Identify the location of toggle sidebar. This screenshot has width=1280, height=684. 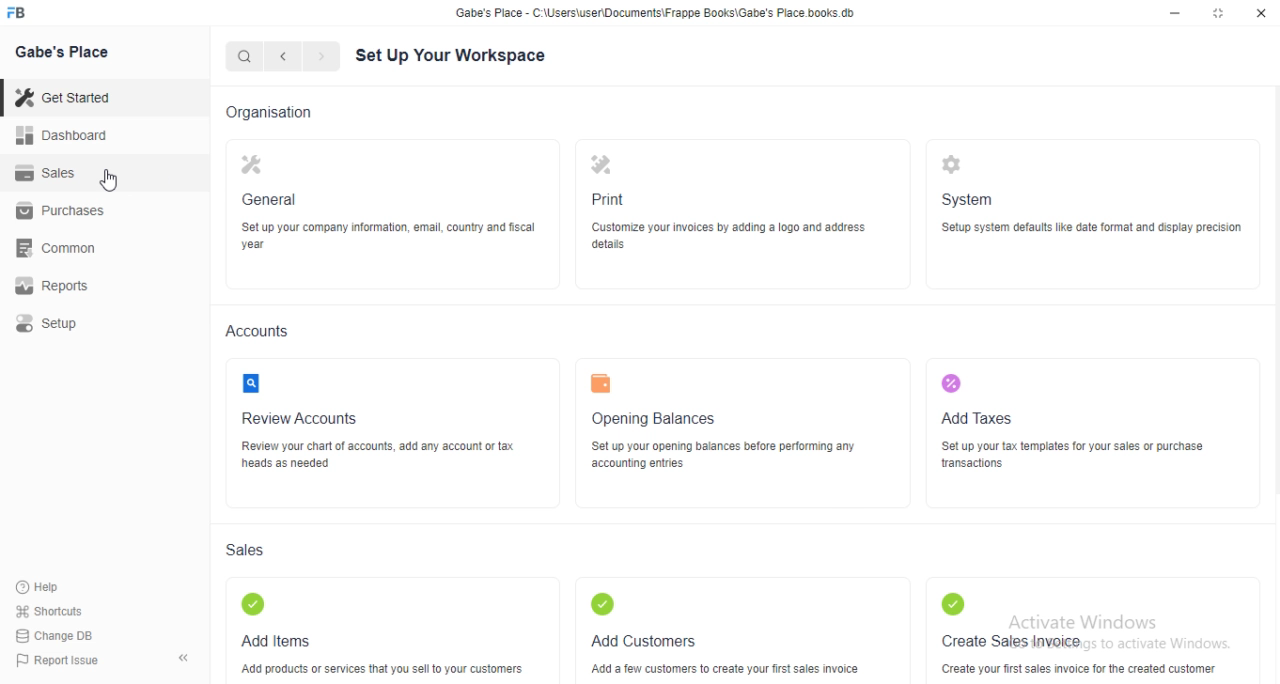
(185, 657).